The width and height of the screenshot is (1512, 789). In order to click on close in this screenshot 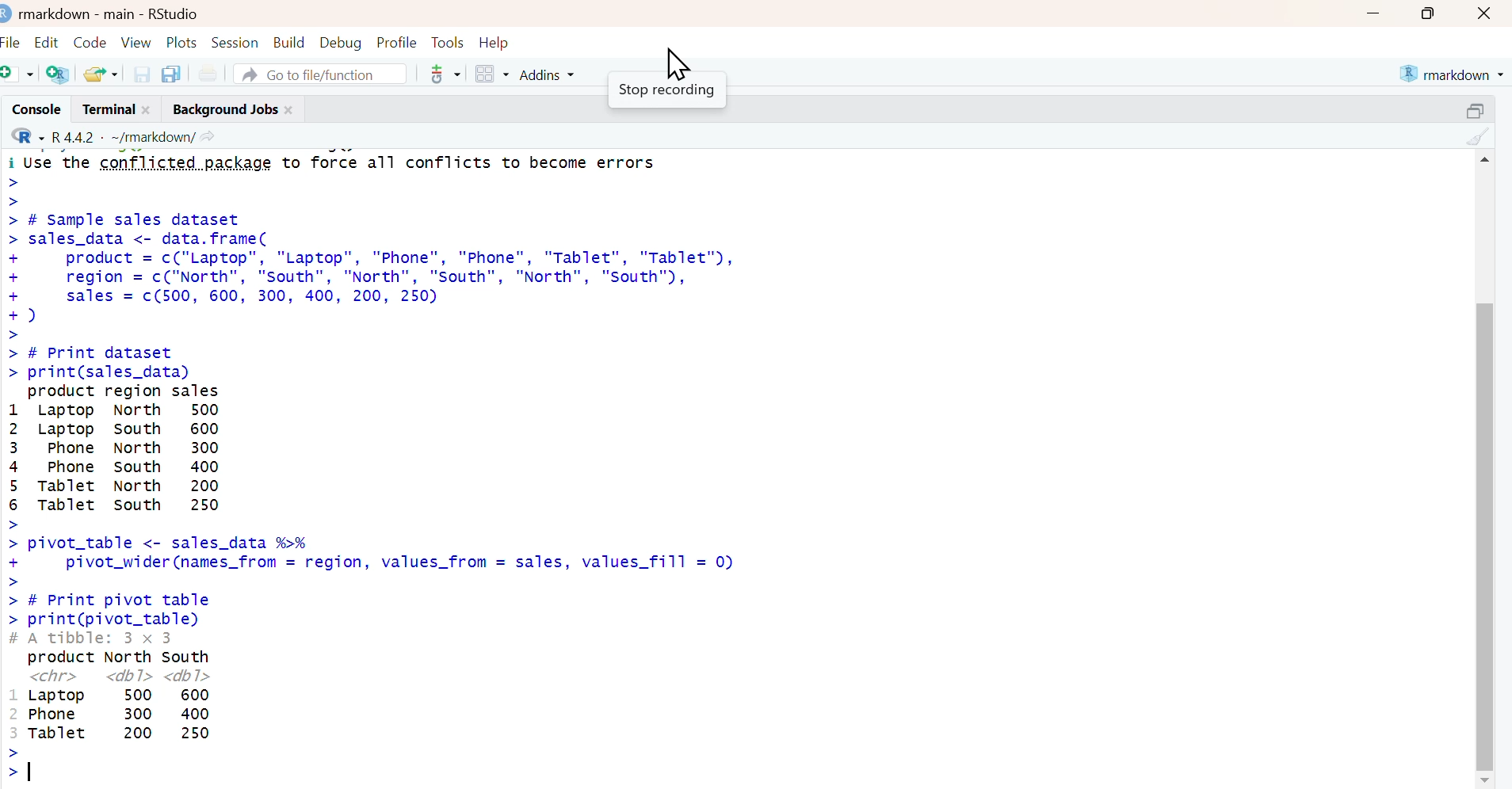, I will do `click(1487, 13)`.